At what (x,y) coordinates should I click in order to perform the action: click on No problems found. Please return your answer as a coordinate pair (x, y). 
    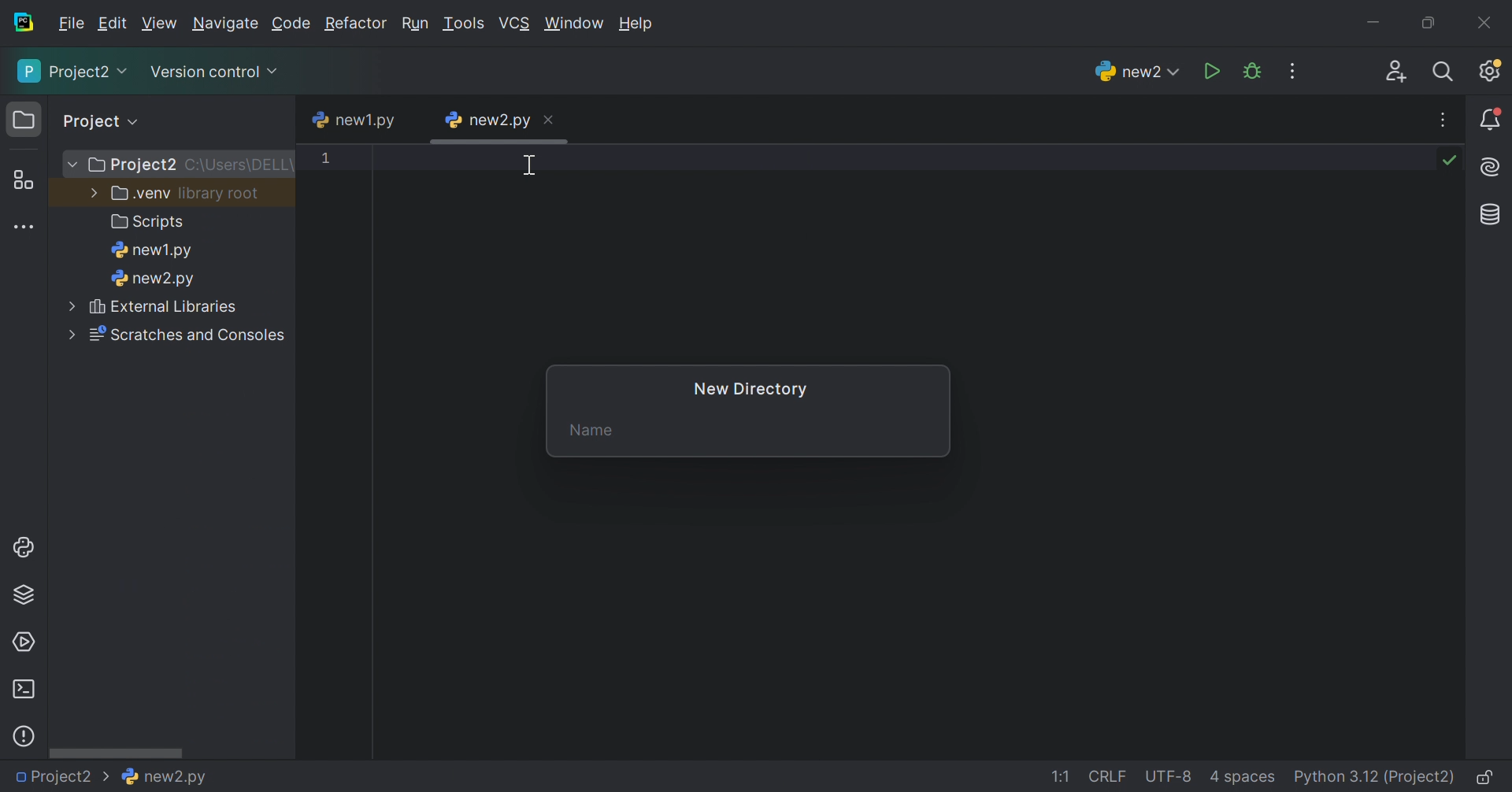
    Looking at the image, I should click on (1449, 160).